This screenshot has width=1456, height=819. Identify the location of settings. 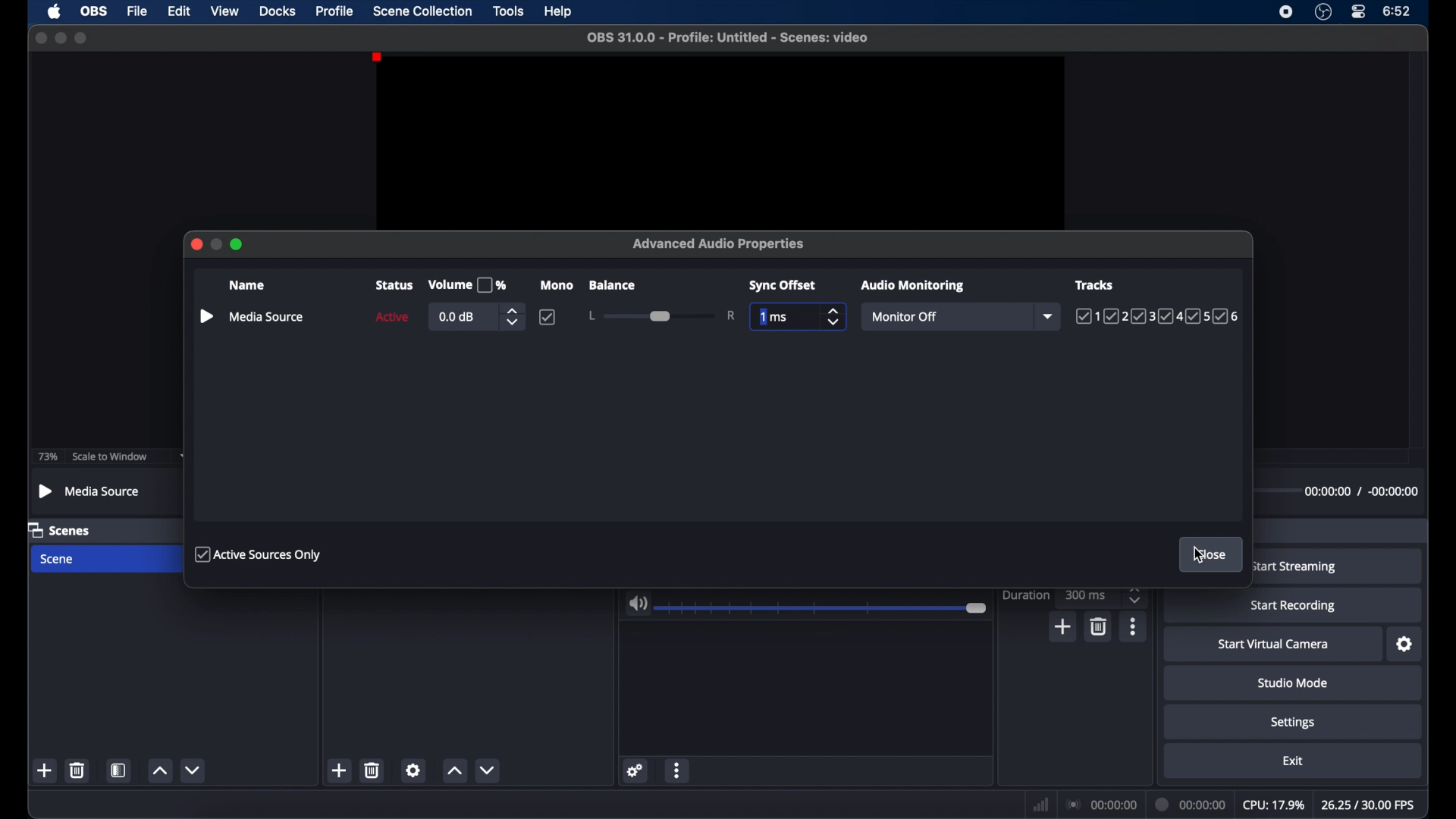
(413, 770).